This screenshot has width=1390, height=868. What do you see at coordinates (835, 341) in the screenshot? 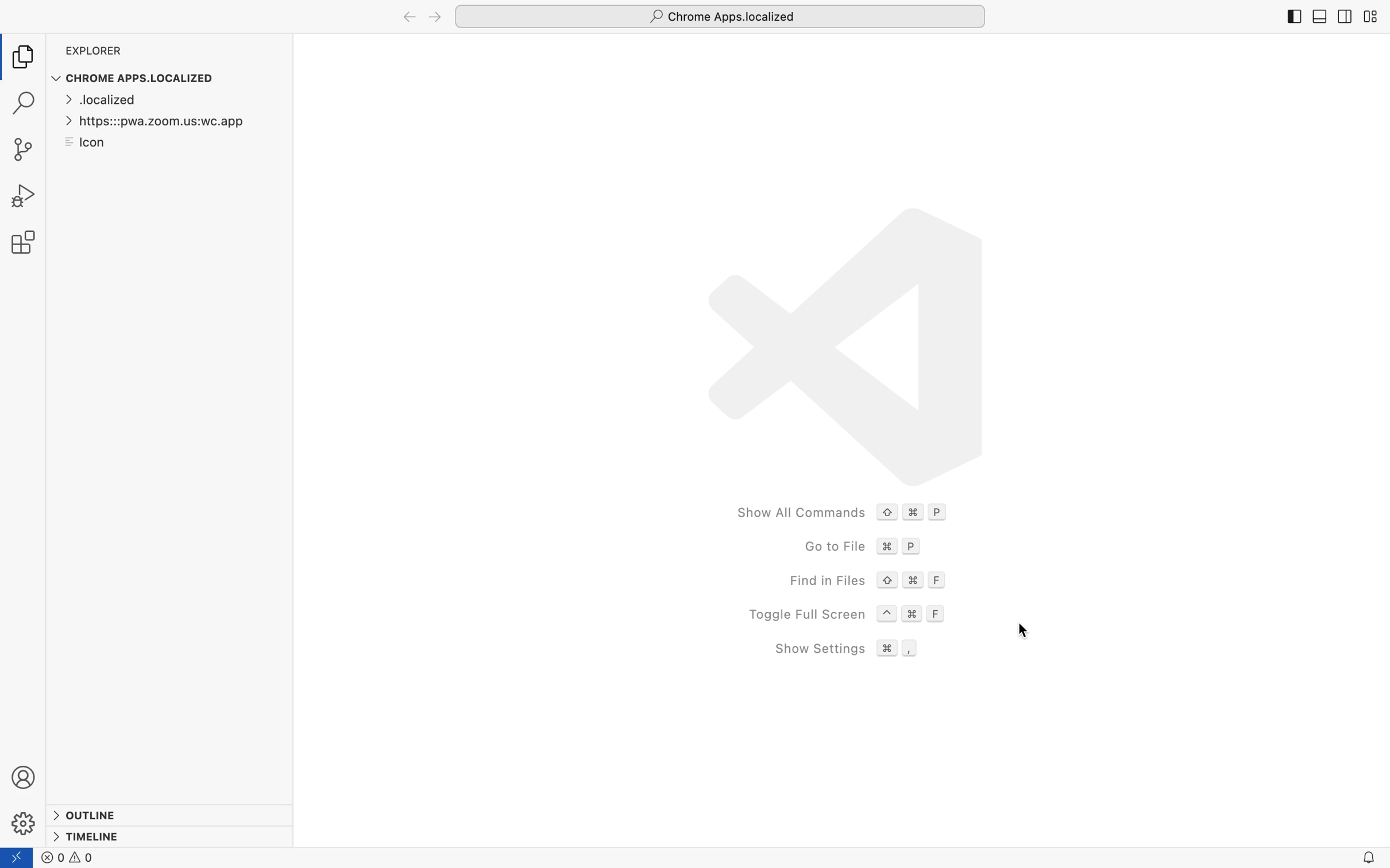
I see `logo` at bounding box center [835, 341].